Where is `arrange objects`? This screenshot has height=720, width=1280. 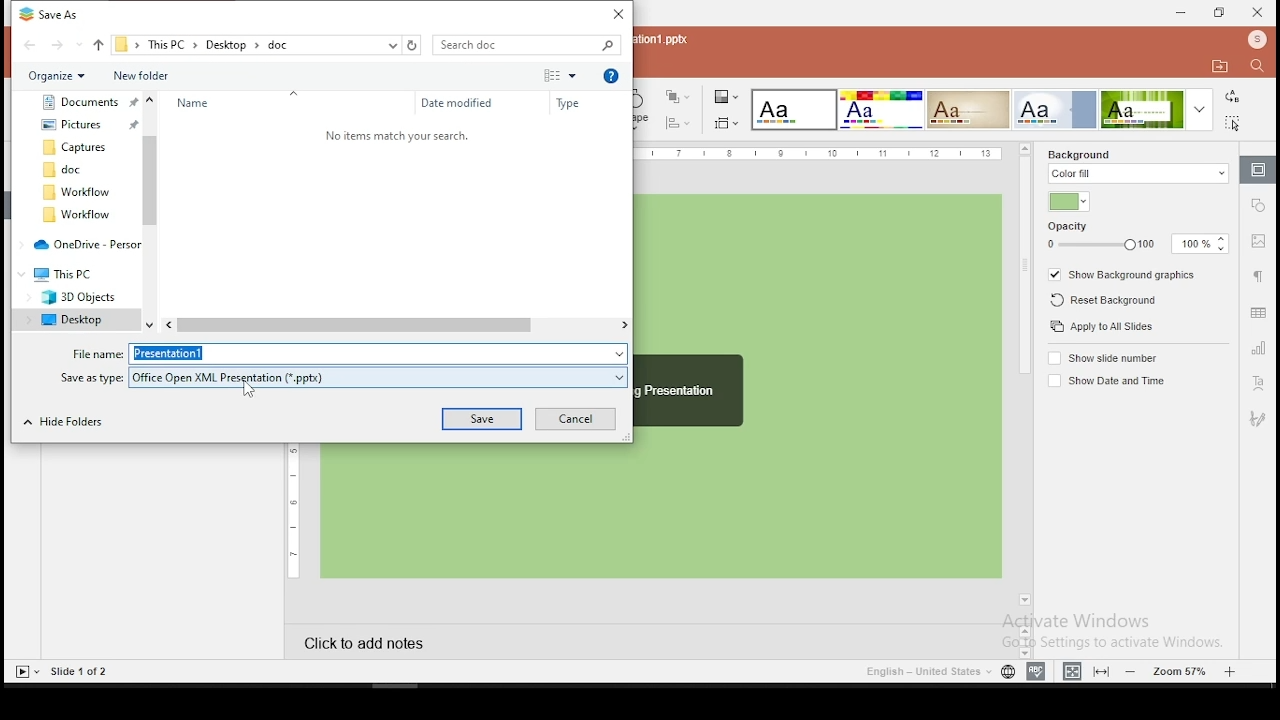 arrange objects is located at coordinates (678, 96).